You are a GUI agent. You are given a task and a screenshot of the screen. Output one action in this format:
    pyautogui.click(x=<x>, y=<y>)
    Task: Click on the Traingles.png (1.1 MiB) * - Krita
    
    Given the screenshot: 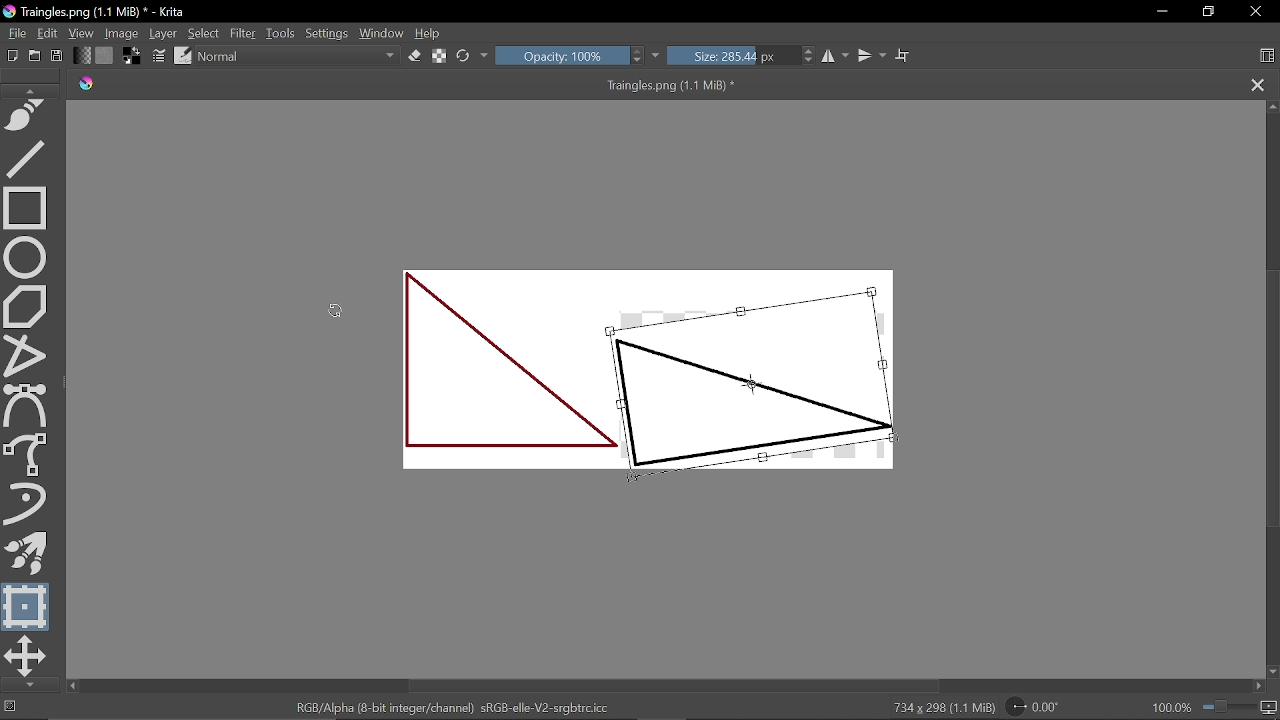 What is the action you would take?
    pyautogui.click(x=98, y=13)
    